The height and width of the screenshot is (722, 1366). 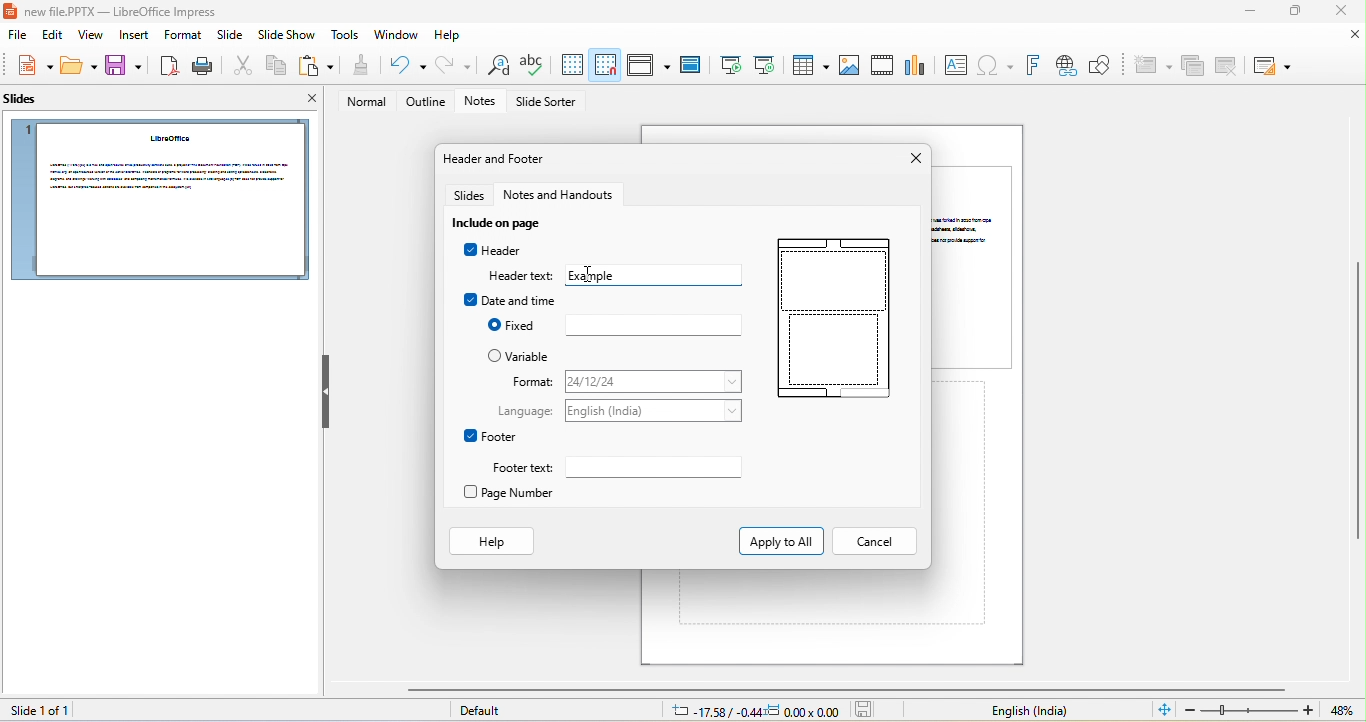 What do you see at coordinates (549, 103) in the screenshot?
I see `slide sorter` at bounding box center [549, 103].